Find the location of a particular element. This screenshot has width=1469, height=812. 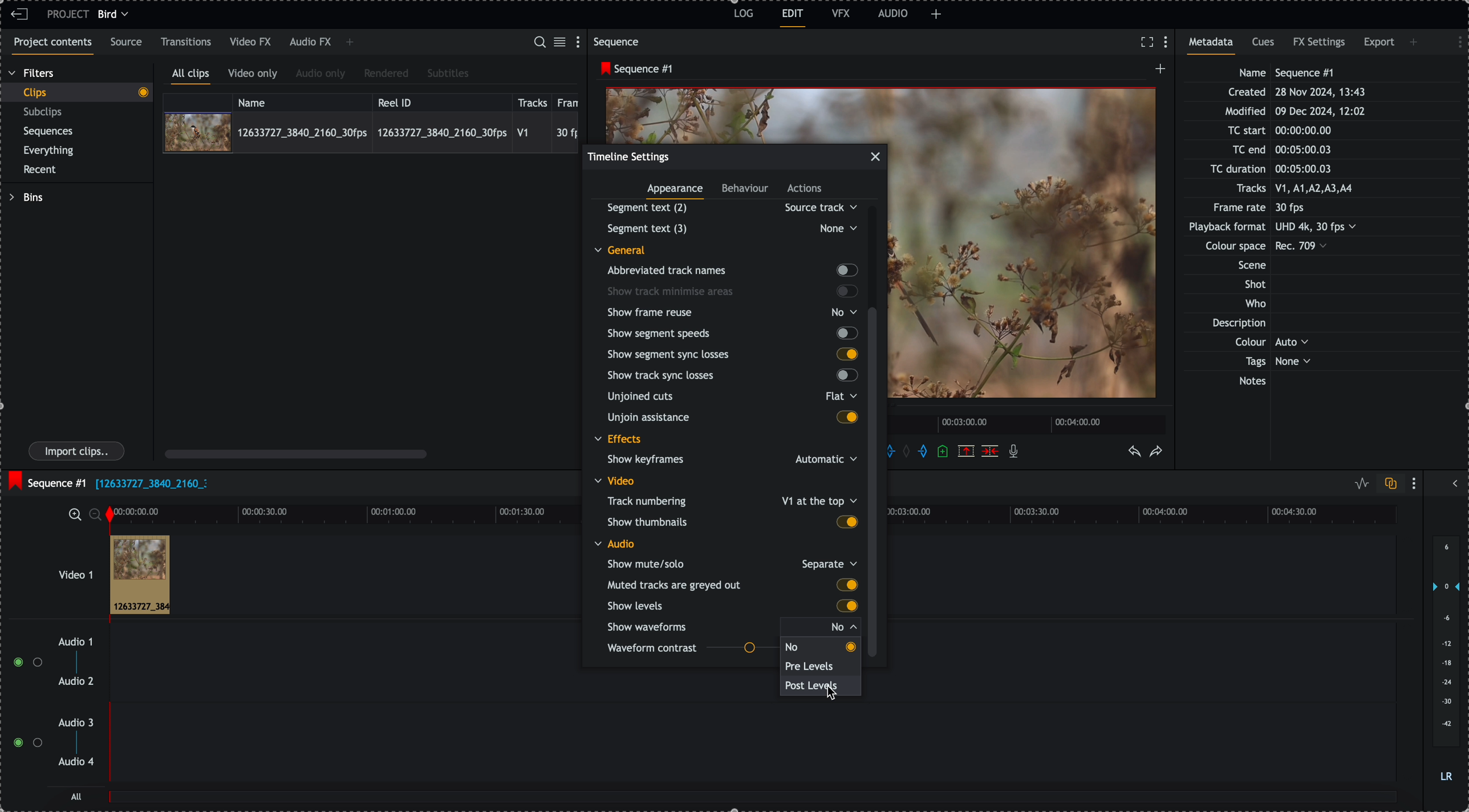

all clips is located at coordinates (191, 76).